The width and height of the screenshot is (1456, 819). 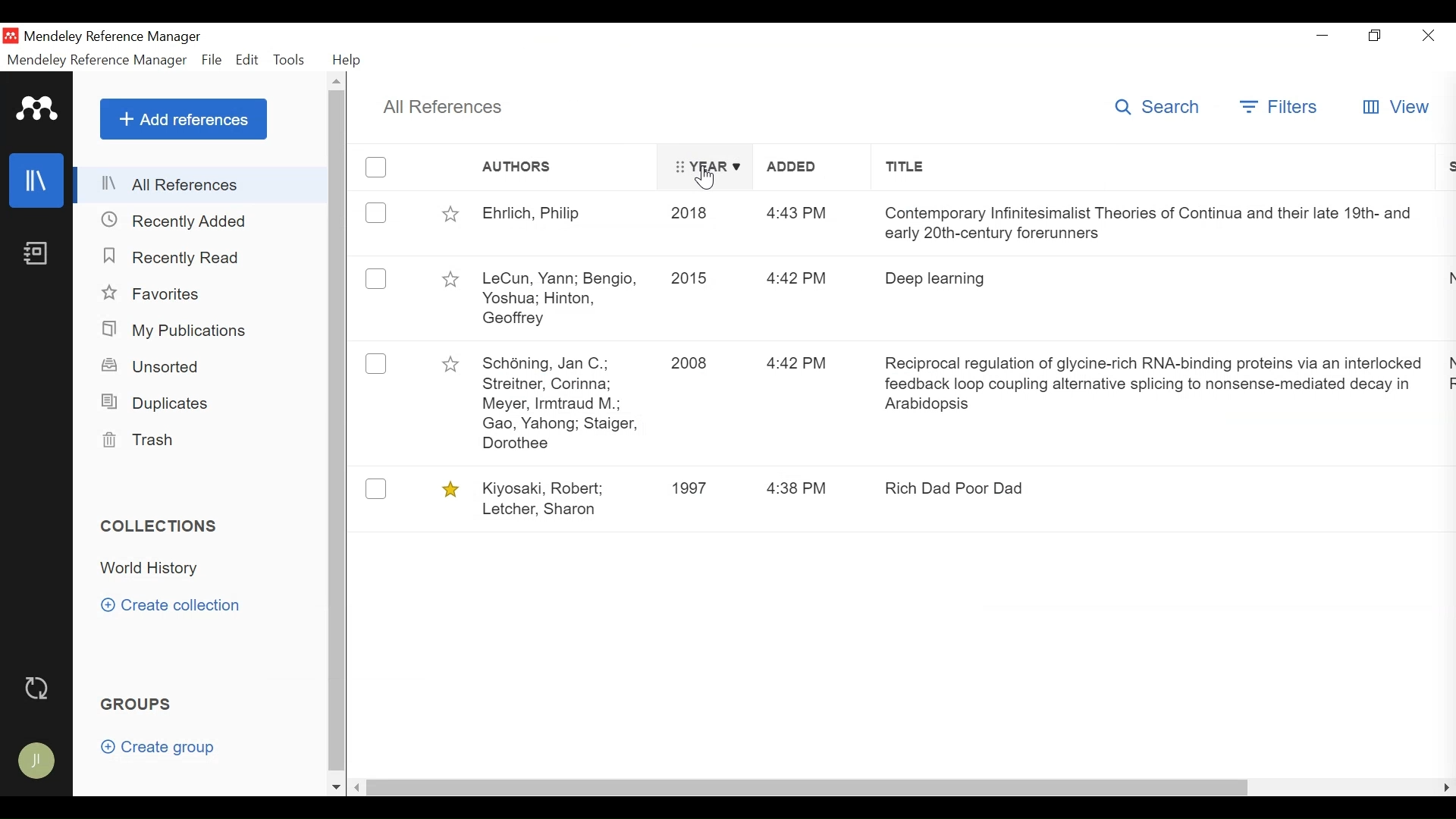 I want to click on Scroll , so click(x=340, y=431).